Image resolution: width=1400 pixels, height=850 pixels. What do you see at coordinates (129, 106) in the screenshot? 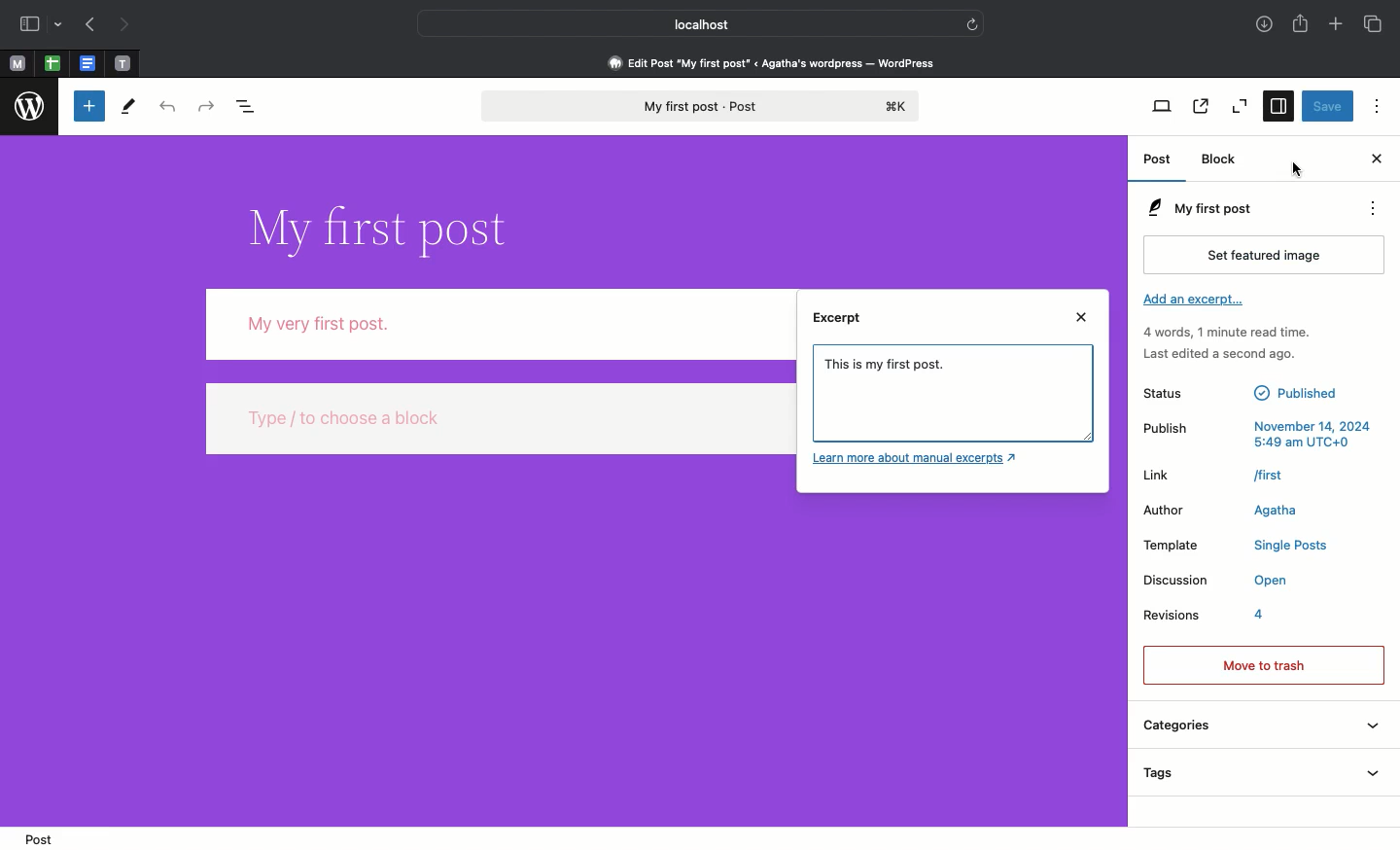
I see `Tools` at bounding box center [129, 106].